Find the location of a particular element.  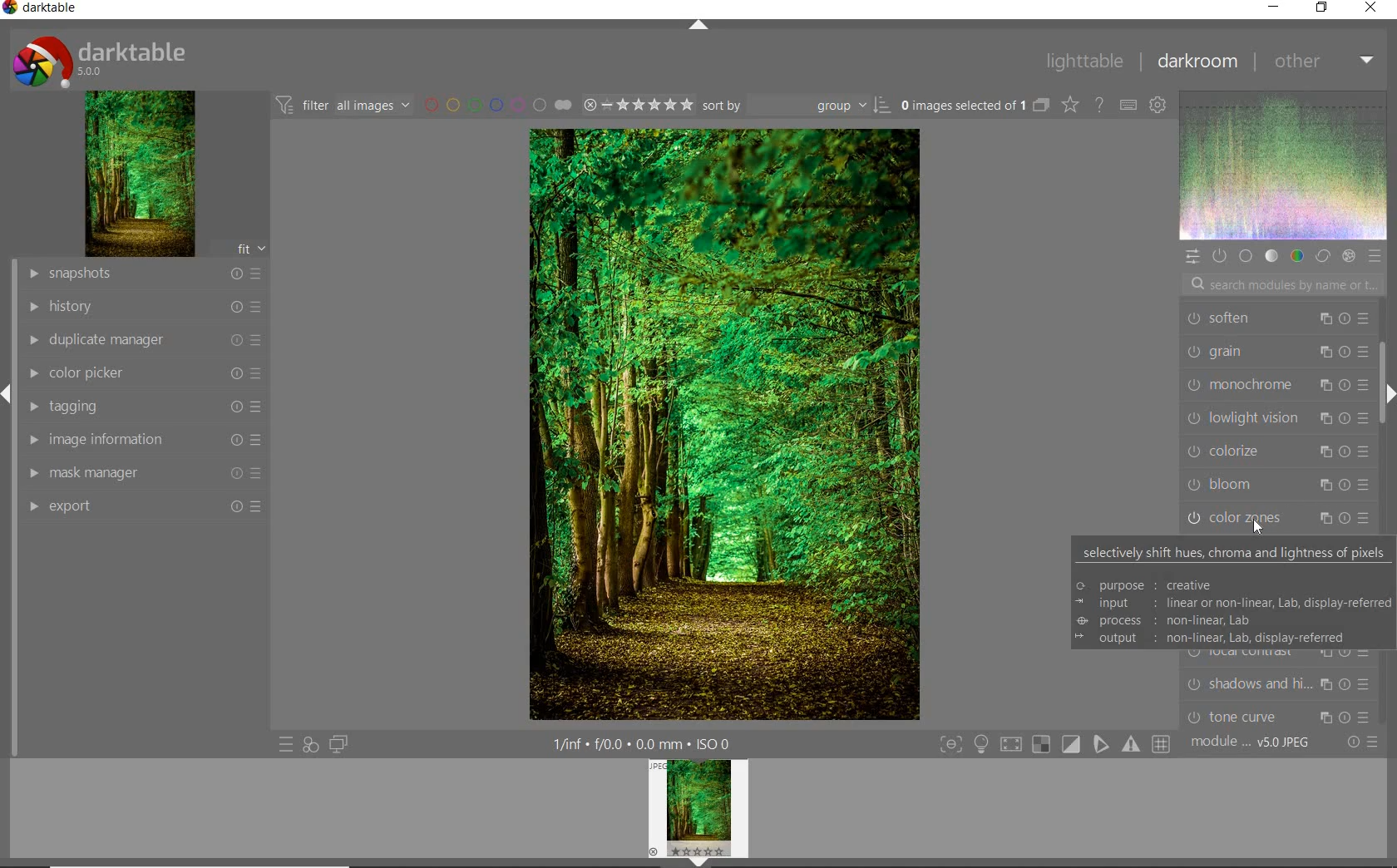

LIGHTTABLE is located at coordinates (1085, 62).